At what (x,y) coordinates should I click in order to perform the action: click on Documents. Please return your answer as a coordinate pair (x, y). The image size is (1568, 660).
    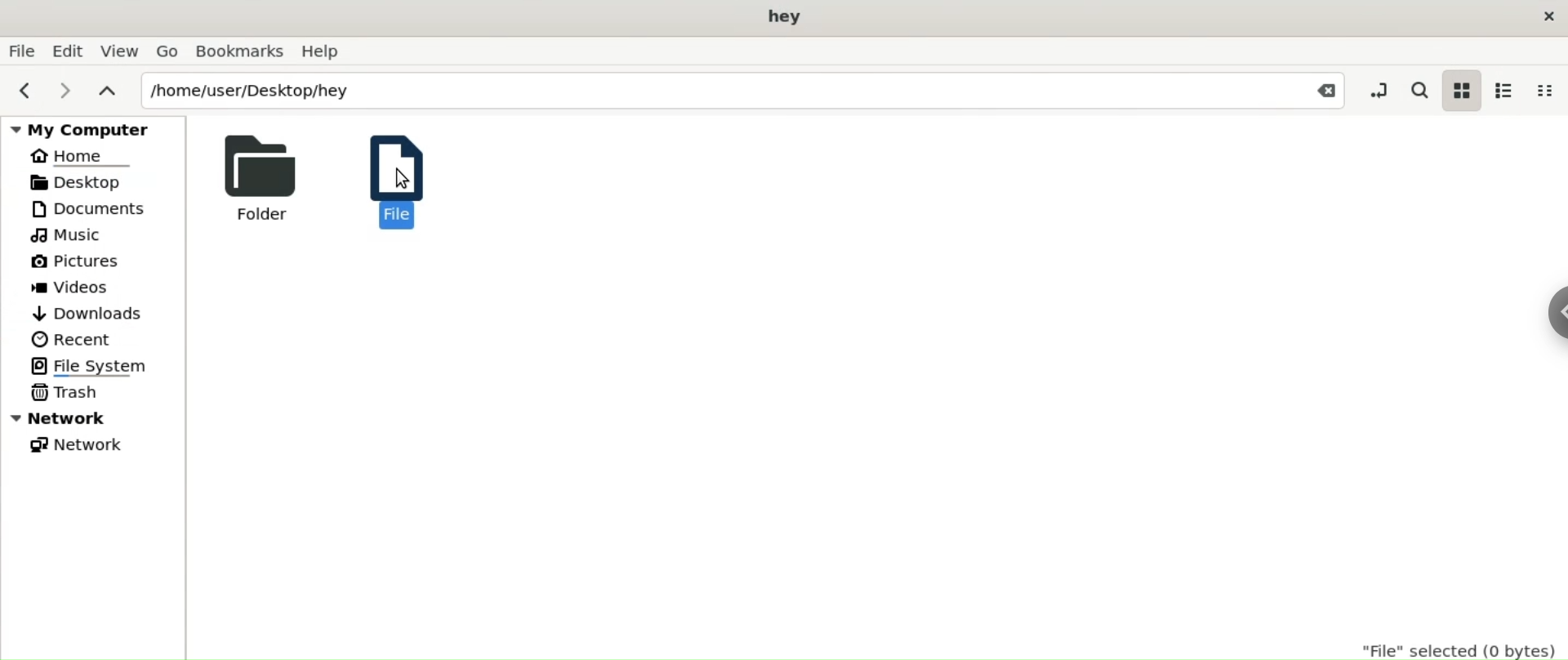
    Looking at the image, I should click on (84, 210).